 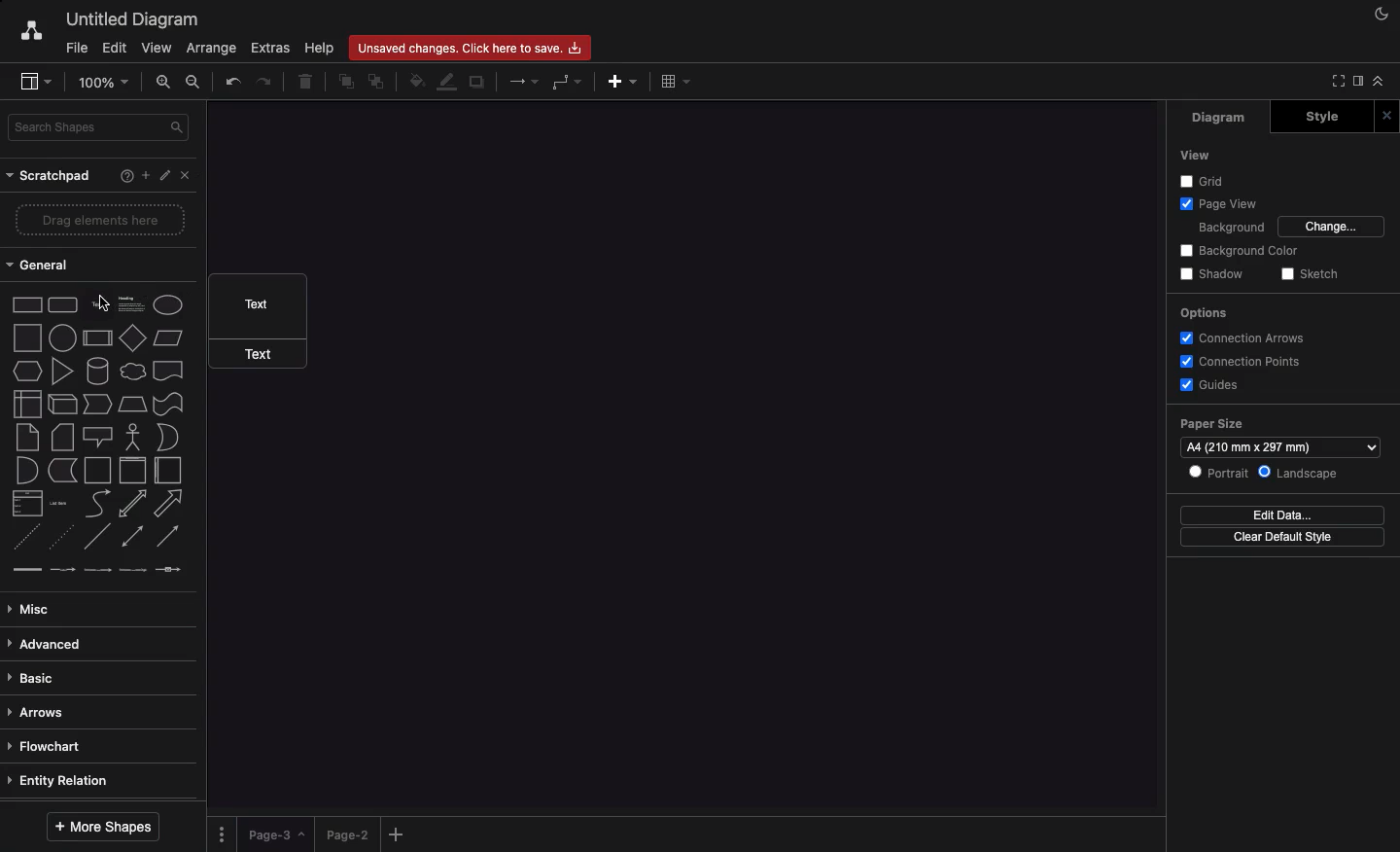 I want to click on horizontal container, so click(x=168, y=470).